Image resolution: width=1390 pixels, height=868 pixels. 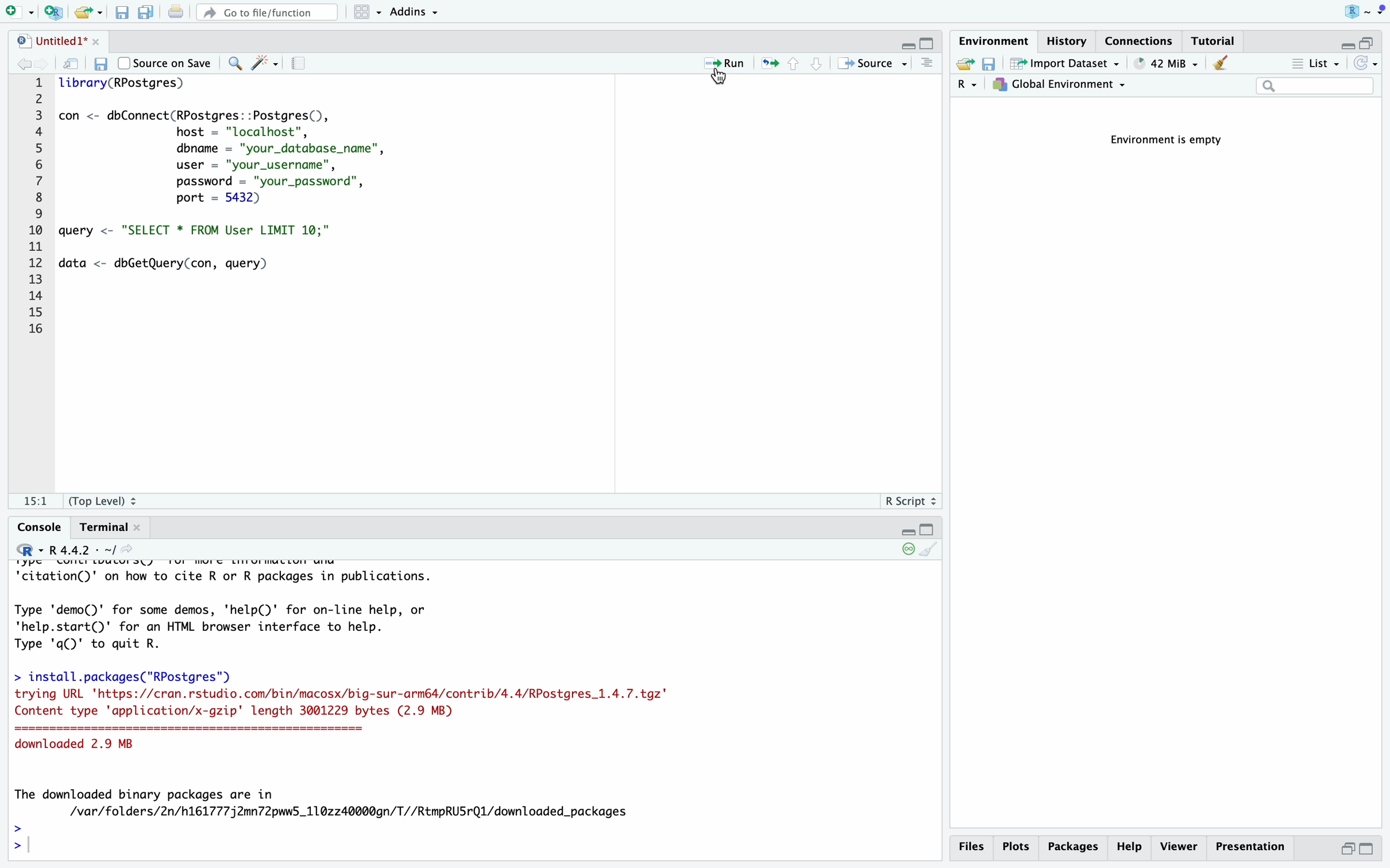 What do you see at coordinates (767, 65) in the screenshot?
I see `re-run the previous code region` at bounding box center [767, 65].